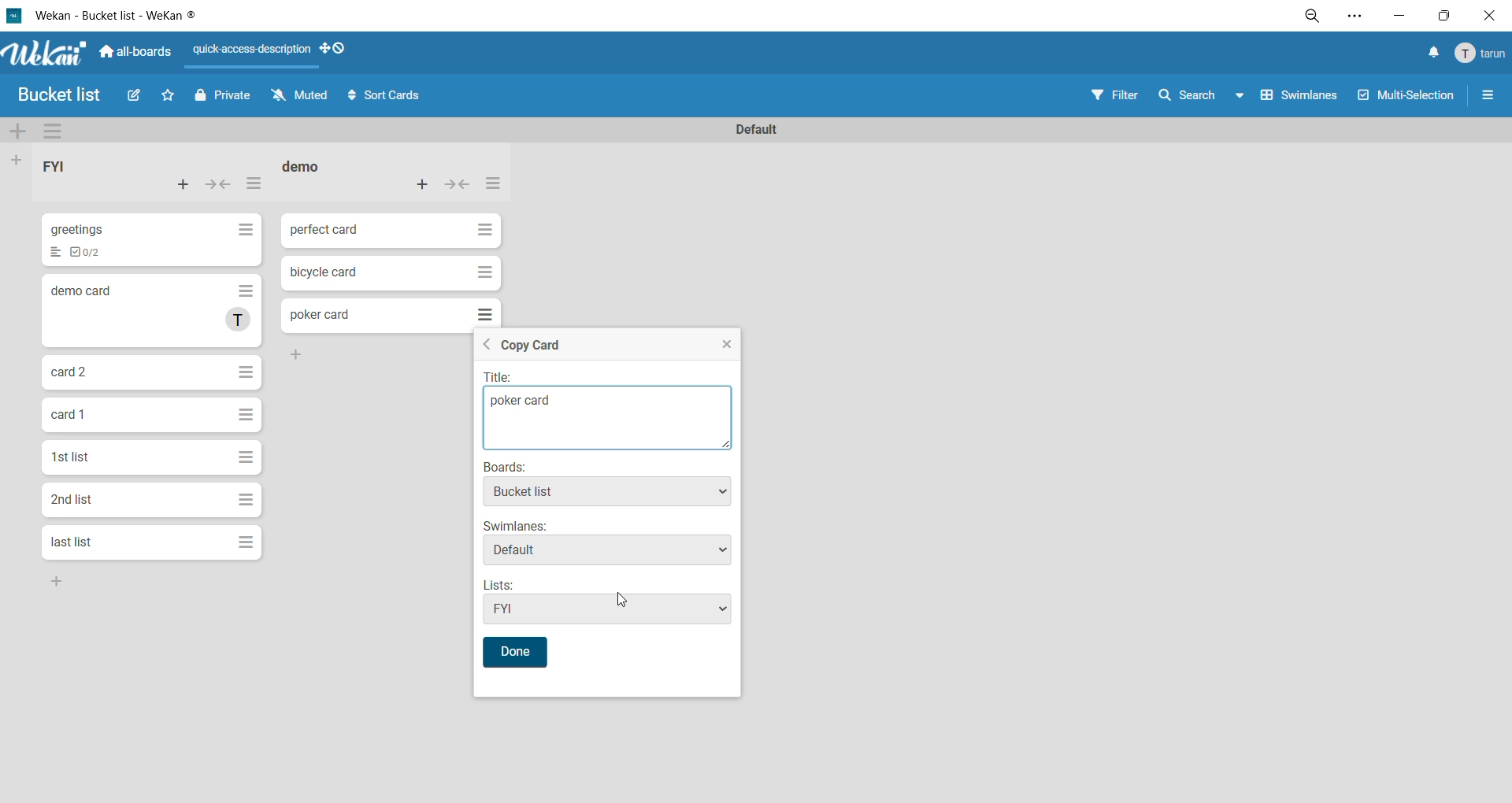 The image size is (1512, 803). Describe the element at coordinates (241, 320) in the screenshot. I see `T` at that location.